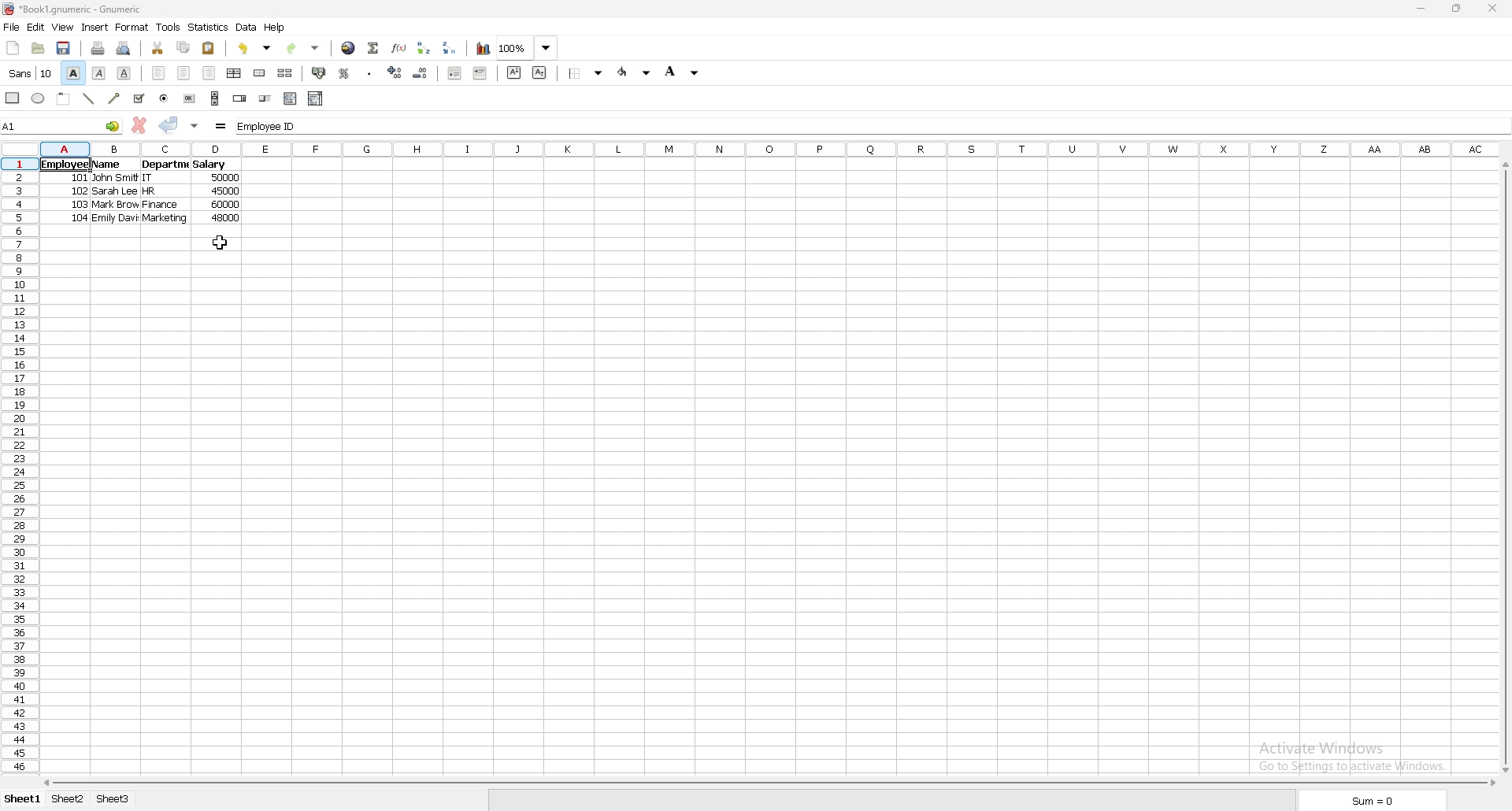 The width and height of the screenshot is (1512, 811). What do you see at coordinates (115, 206) in the screenshot?
I see `mark brow` at bounding box center [115, 206].